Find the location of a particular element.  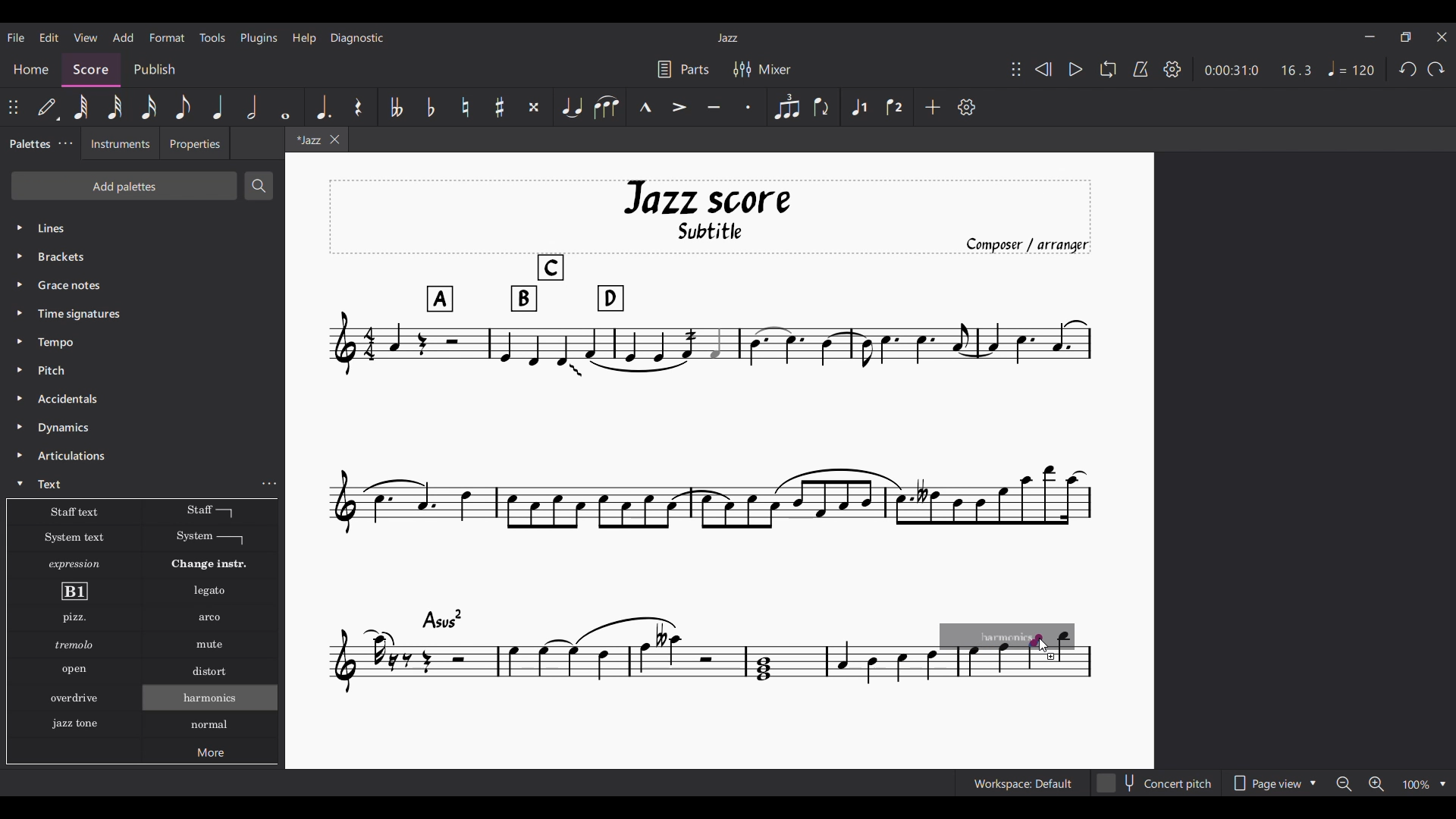

Dynamics is located at coordinates (64, 429).